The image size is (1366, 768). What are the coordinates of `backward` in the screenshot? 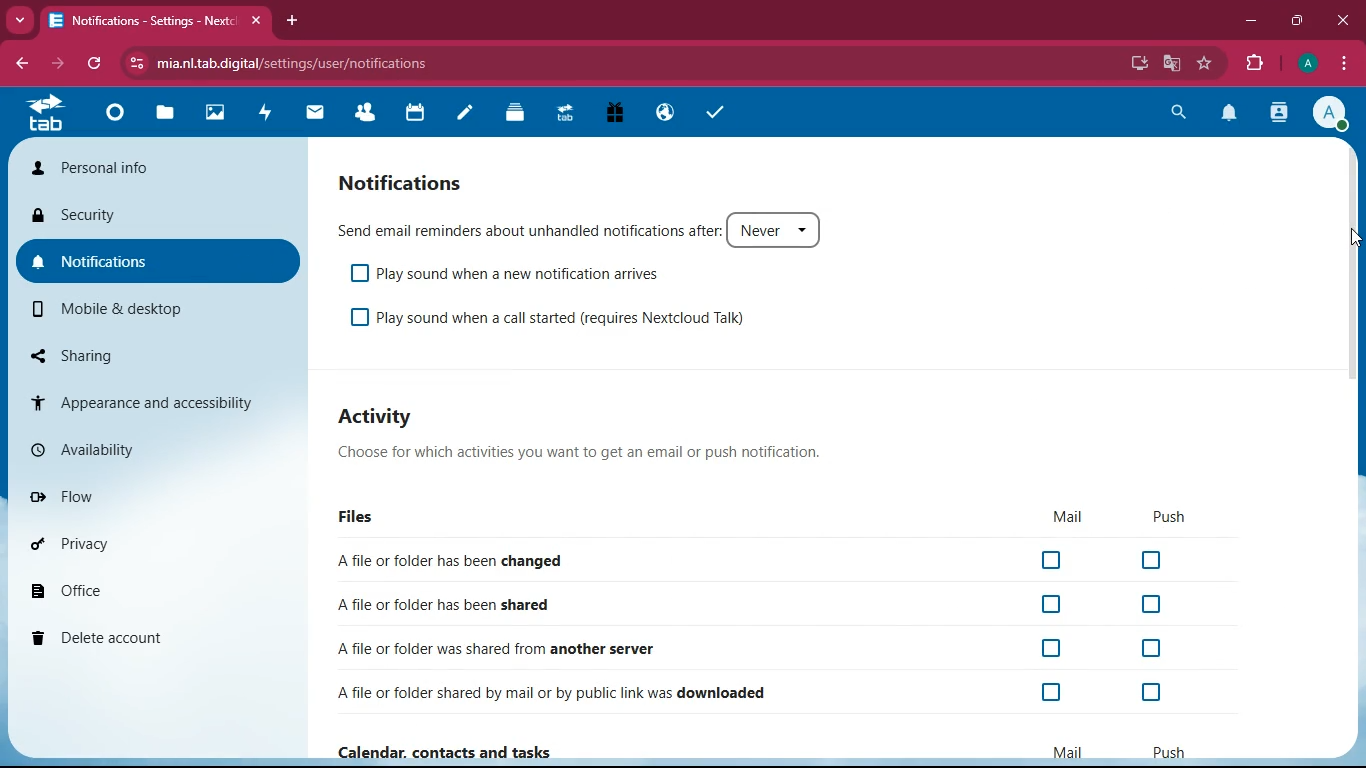 It's located at (19, 61).